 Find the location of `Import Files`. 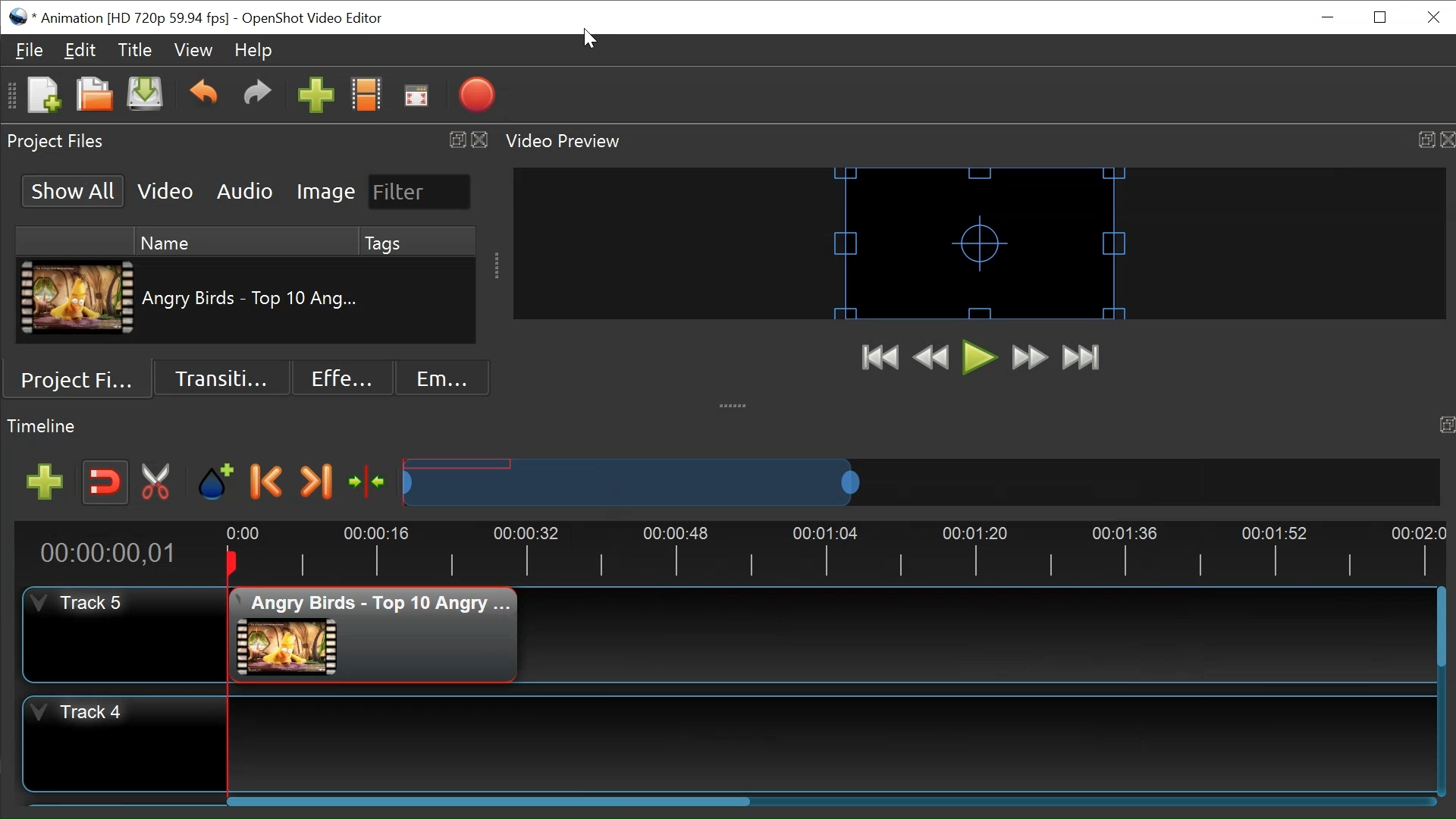

Import Files is located at coordinates (316, 98).